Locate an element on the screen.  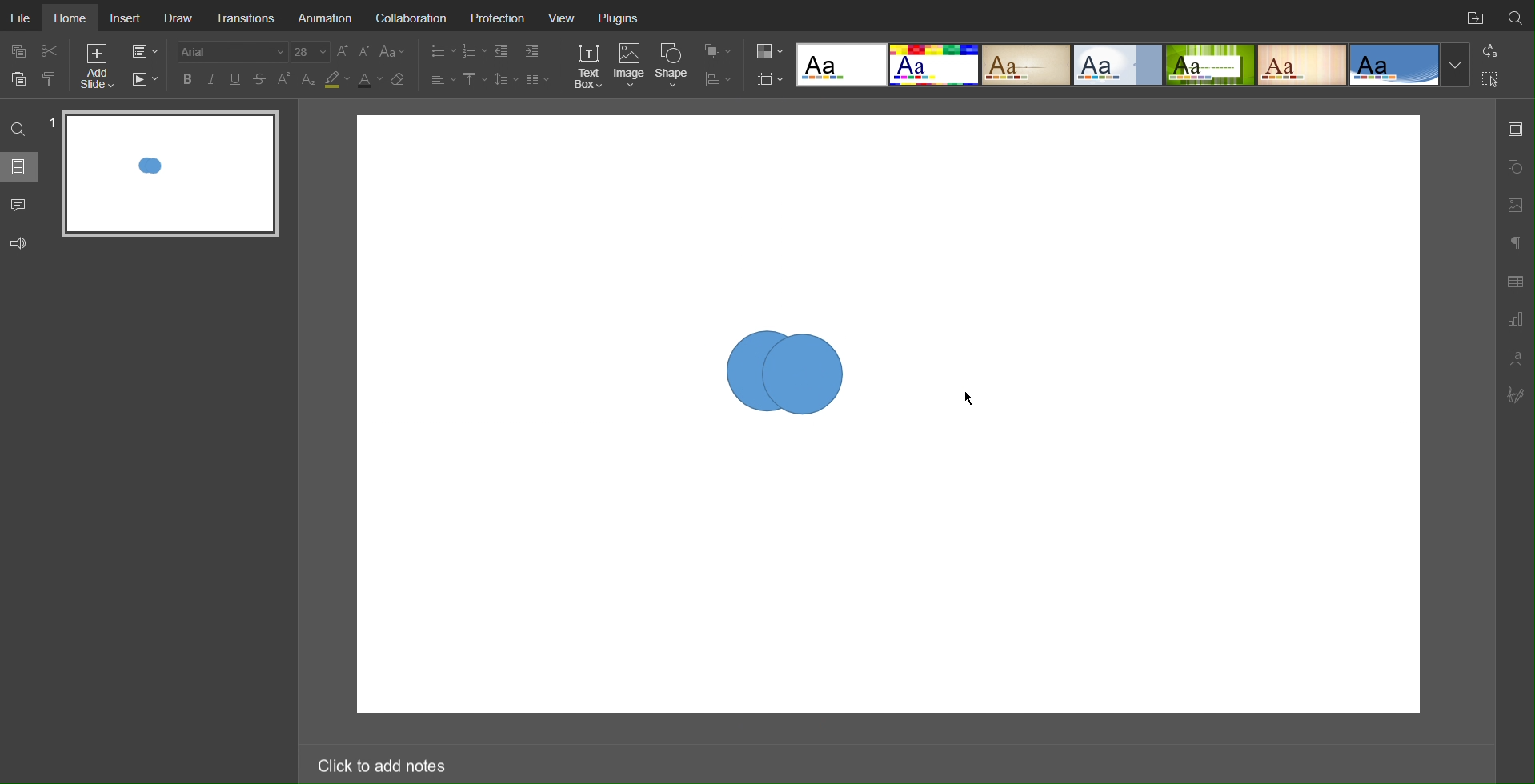
paste is located at coordinates (21, 78).